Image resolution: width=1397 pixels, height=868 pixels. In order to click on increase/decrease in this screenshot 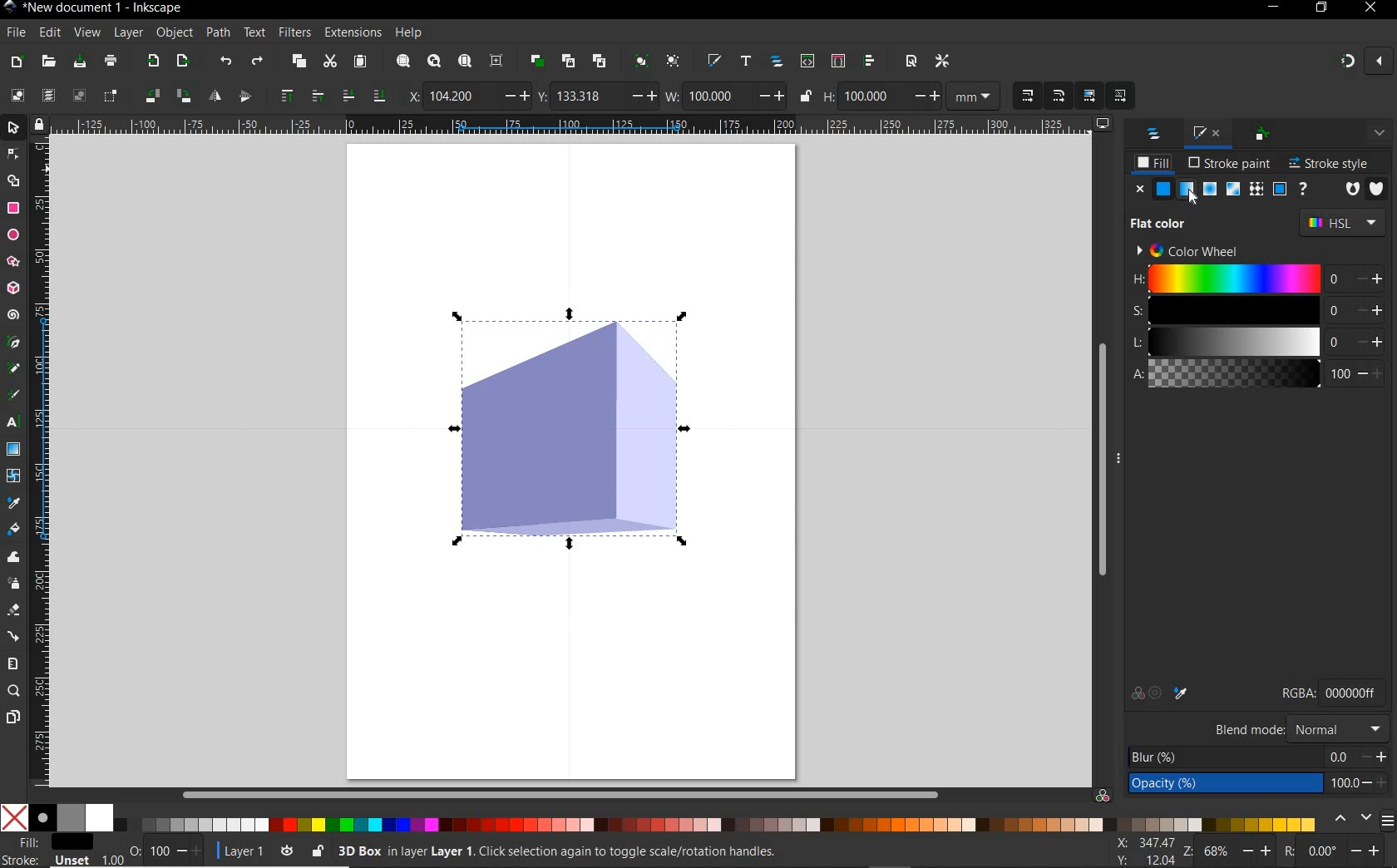, I will do `click(924, 96)`.